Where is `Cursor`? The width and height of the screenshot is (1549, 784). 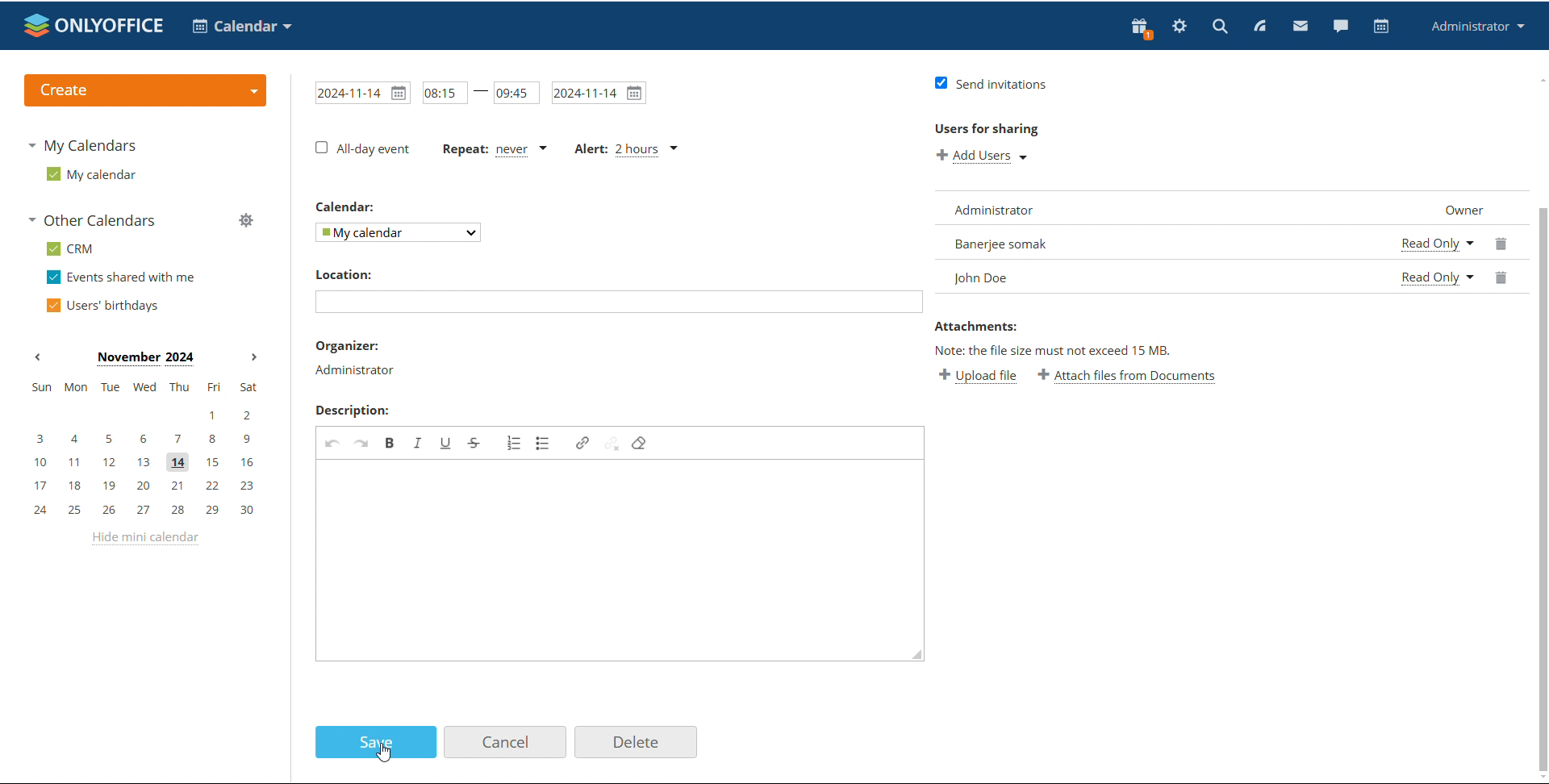
Cursor is located at coordinates (384, 753).